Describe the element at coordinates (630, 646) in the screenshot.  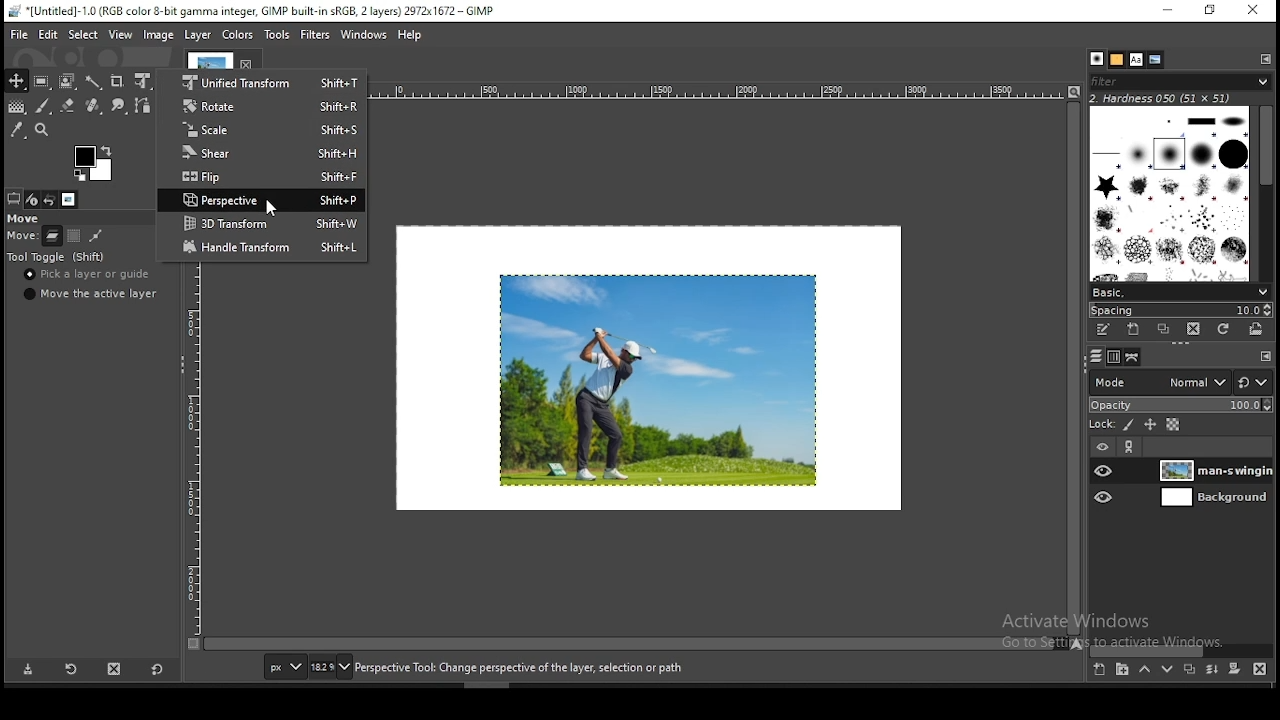
I see `scroll bar` at that location.